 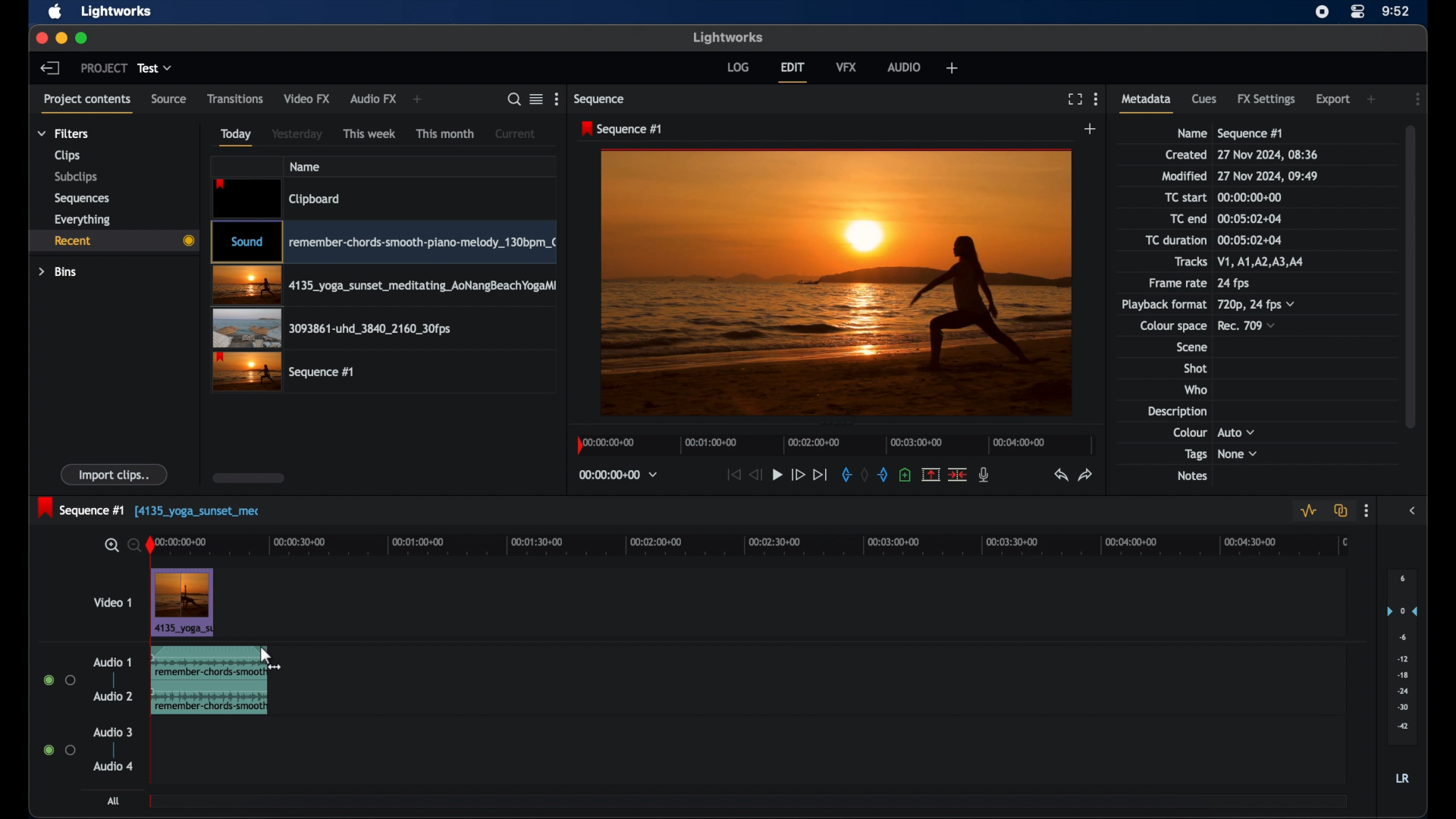 What do you see at coordinates (110, 546) in the screenshot?
I see `zoom in` at bounding box center [110, 546].